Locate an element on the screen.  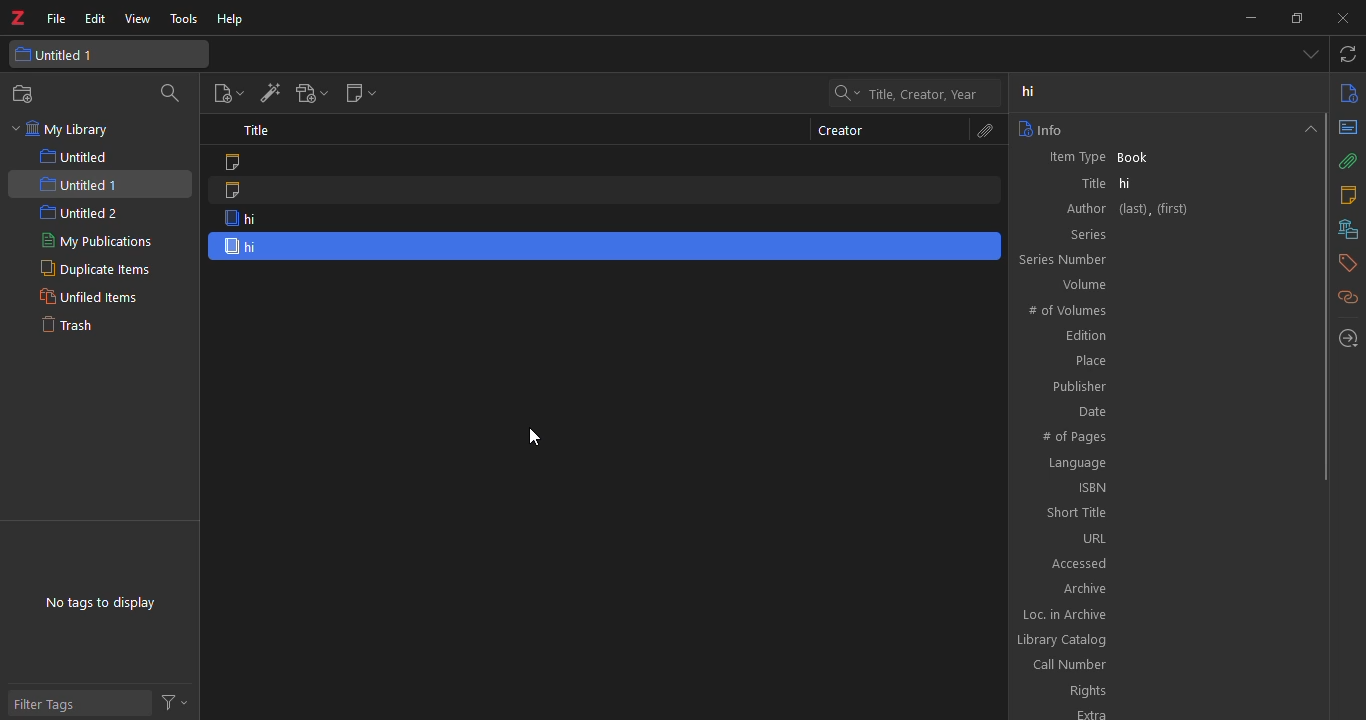
tag is located at coordinates (1351, 266).